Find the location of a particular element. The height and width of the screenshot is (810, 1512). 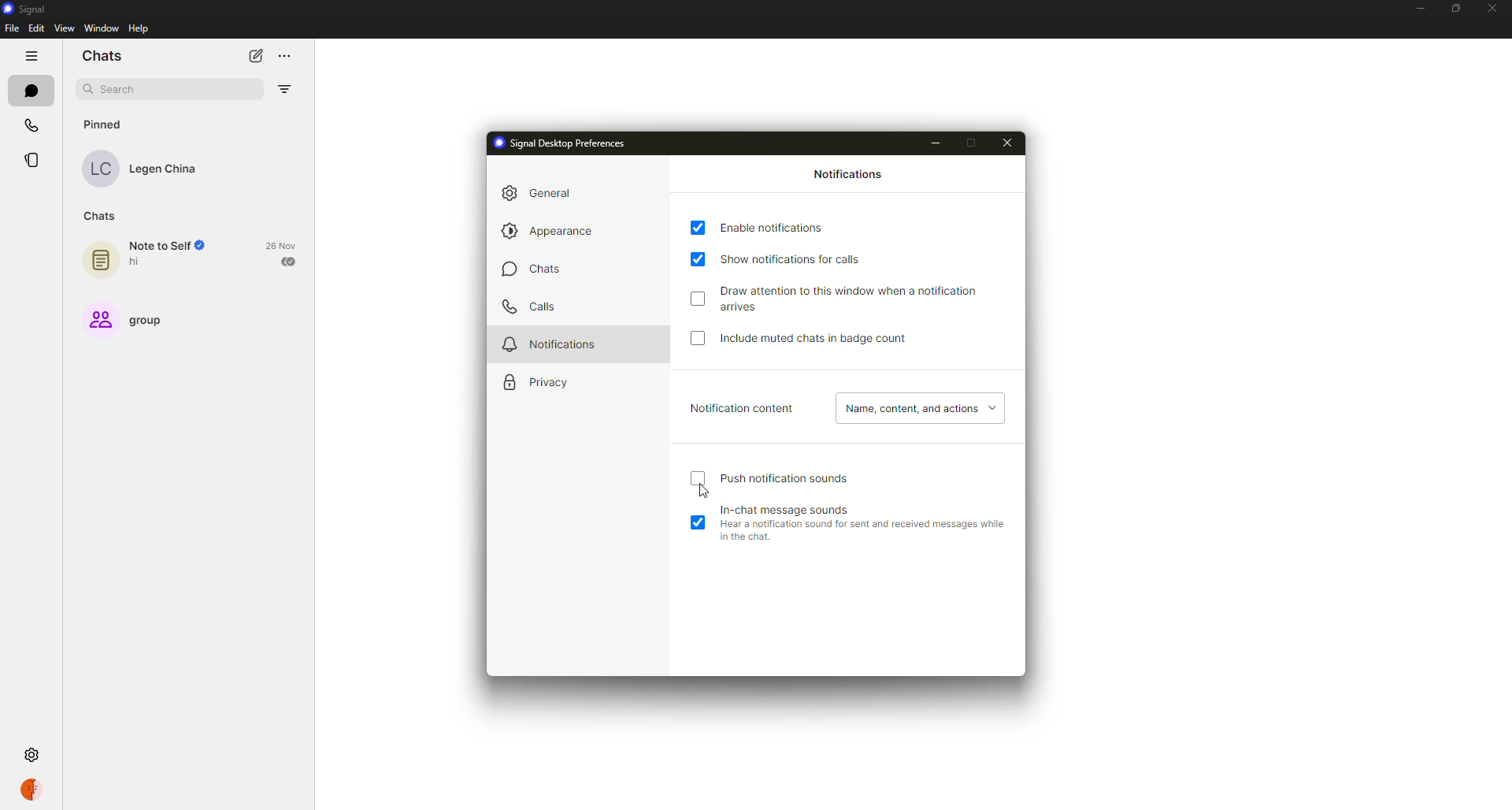

pinned is located at coordinates (106, 124).